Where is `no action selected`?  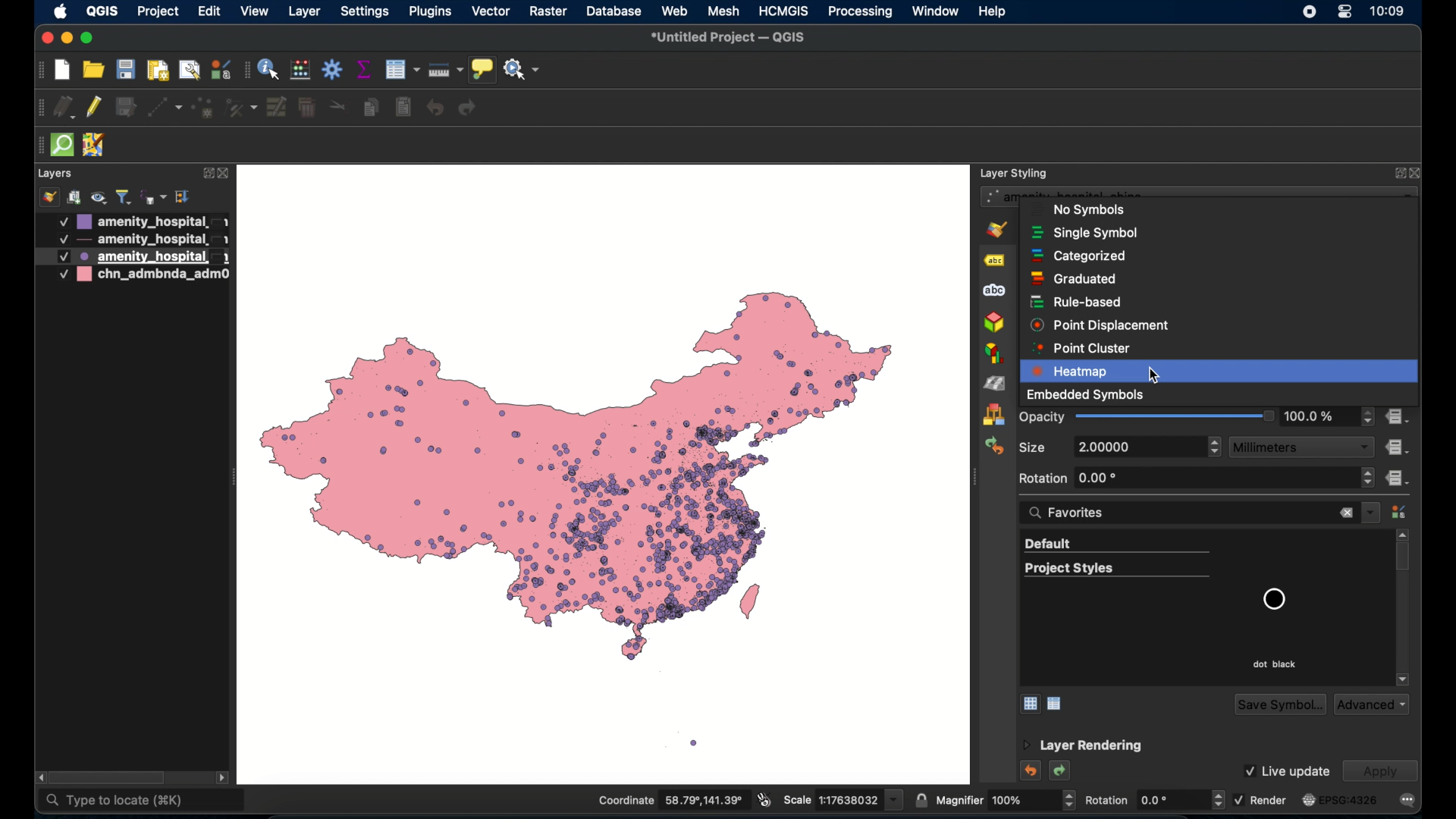 no action selected is located at coordinates (523, 70).